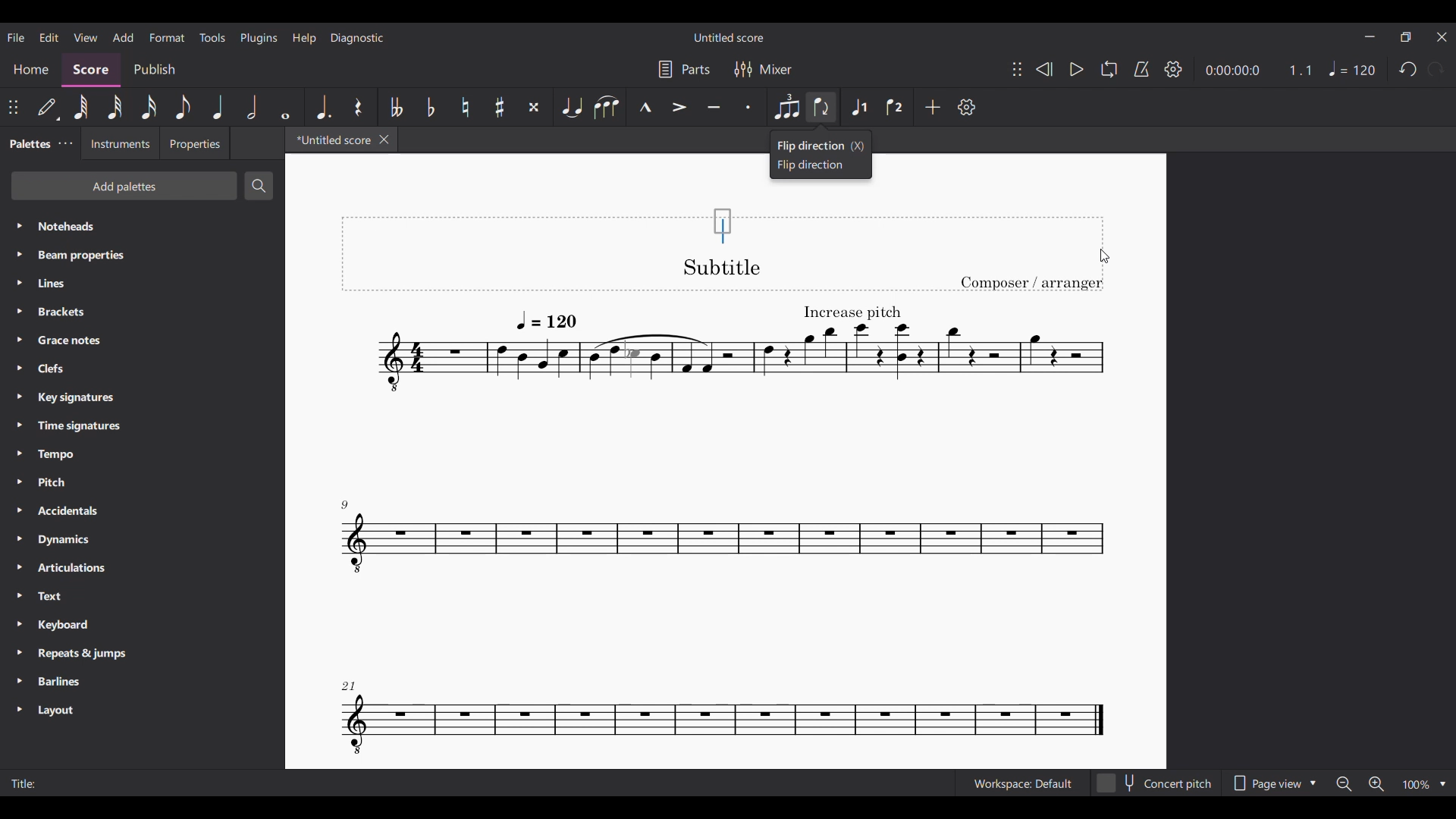 This screenshot has width=1456, height=819. I want to click on Slur, so click(607, 106).